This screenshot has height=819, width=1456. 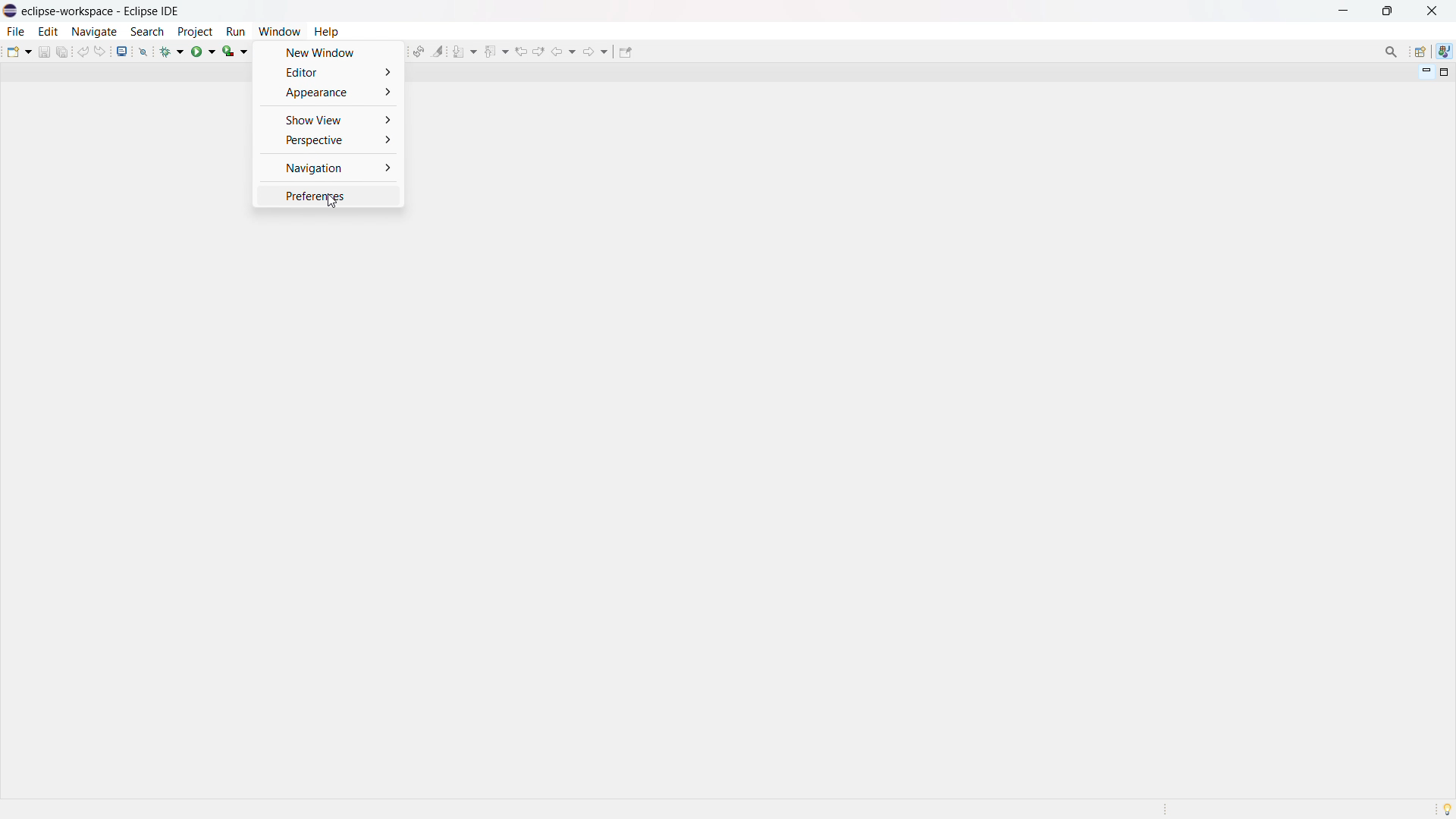 I want to click on new window, so click(x=329, y=52).